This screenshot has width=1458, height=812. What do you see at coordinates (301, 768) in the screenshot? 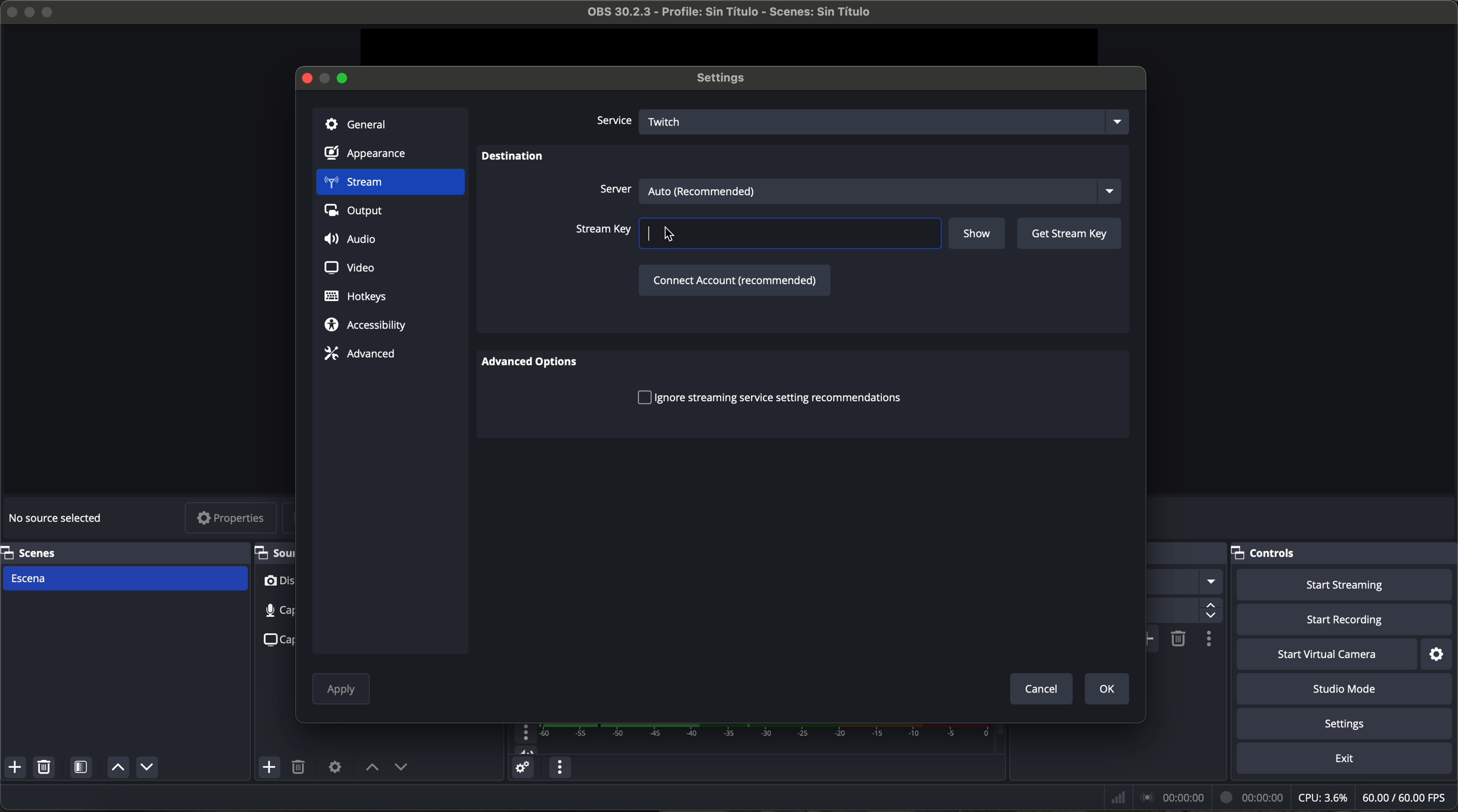
I see `remove selected source` at bounding box center [301, 768].